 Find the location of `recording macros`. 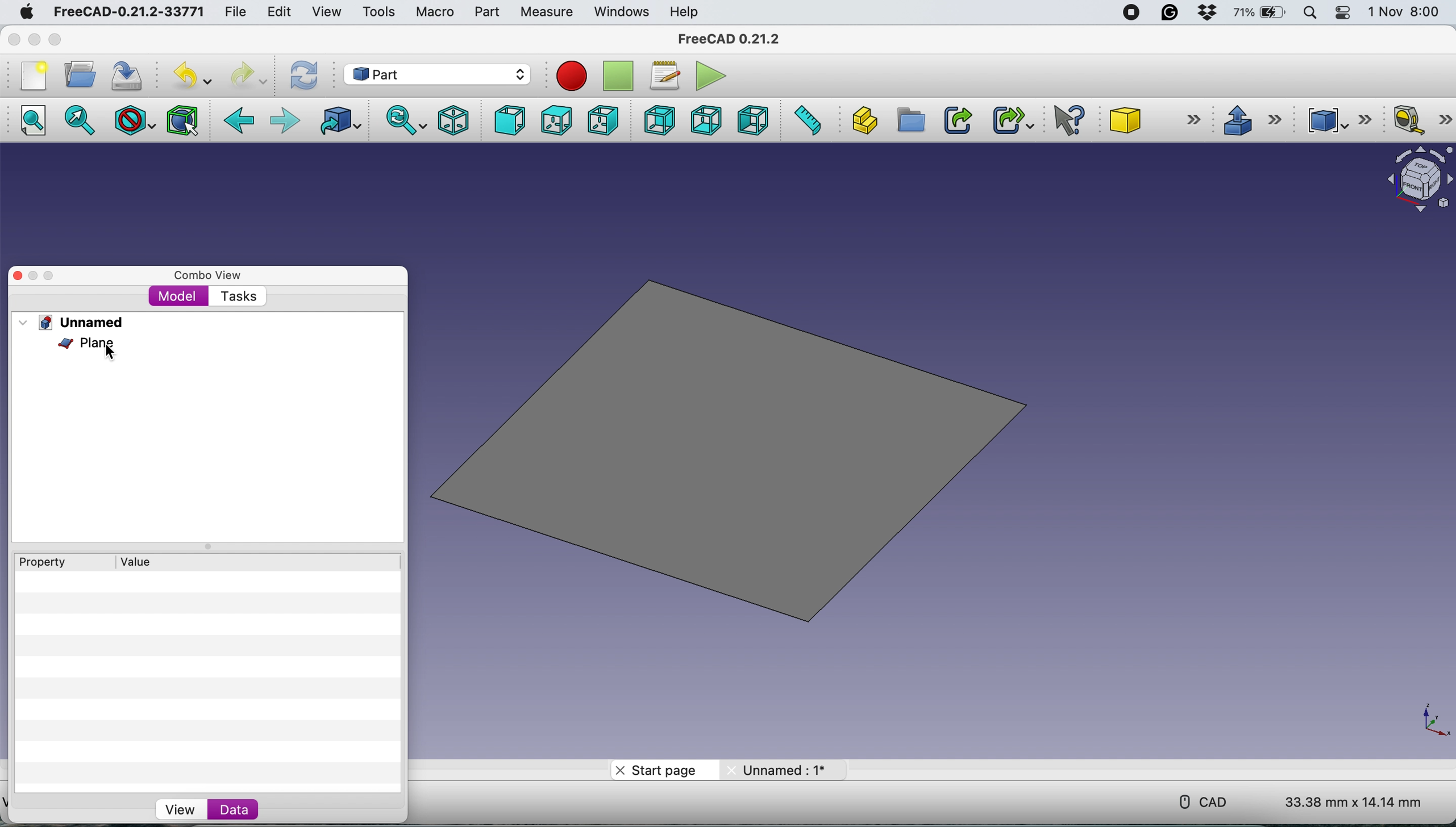

recording macros is located at coordinates (572, 77).